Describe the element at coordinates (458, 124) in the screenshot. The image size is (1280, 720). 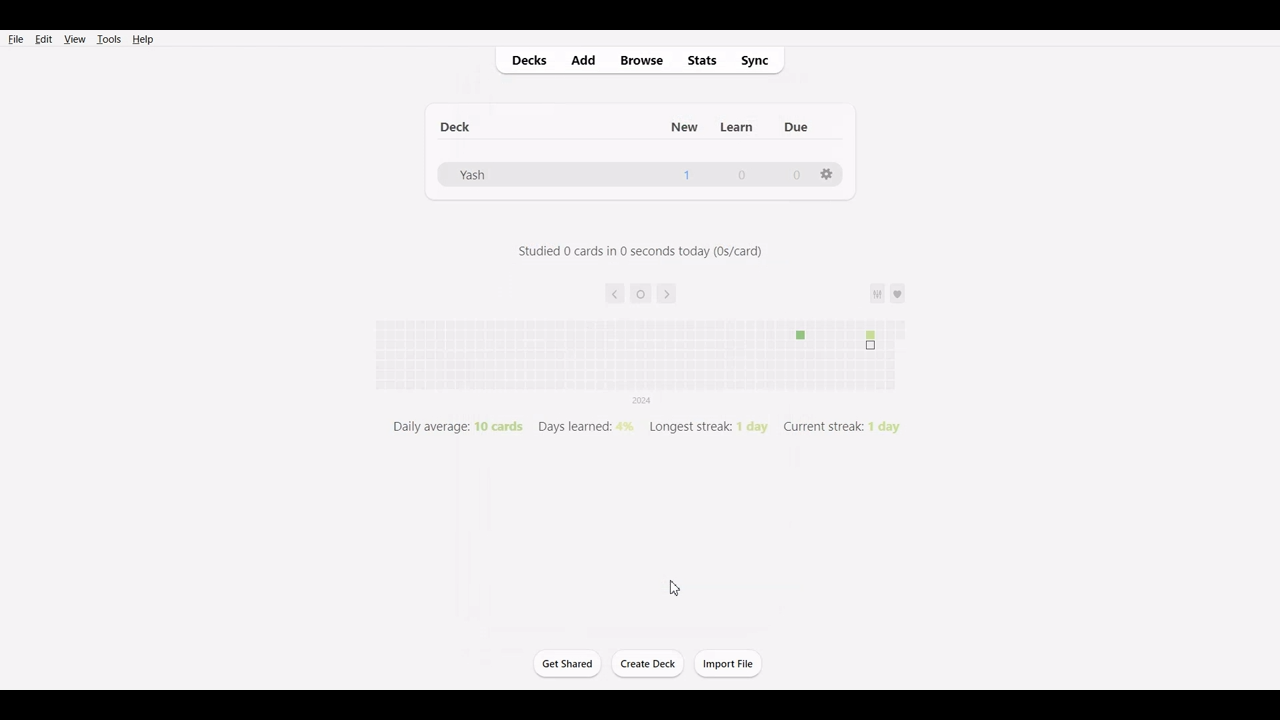
I see `Deck` at that location.